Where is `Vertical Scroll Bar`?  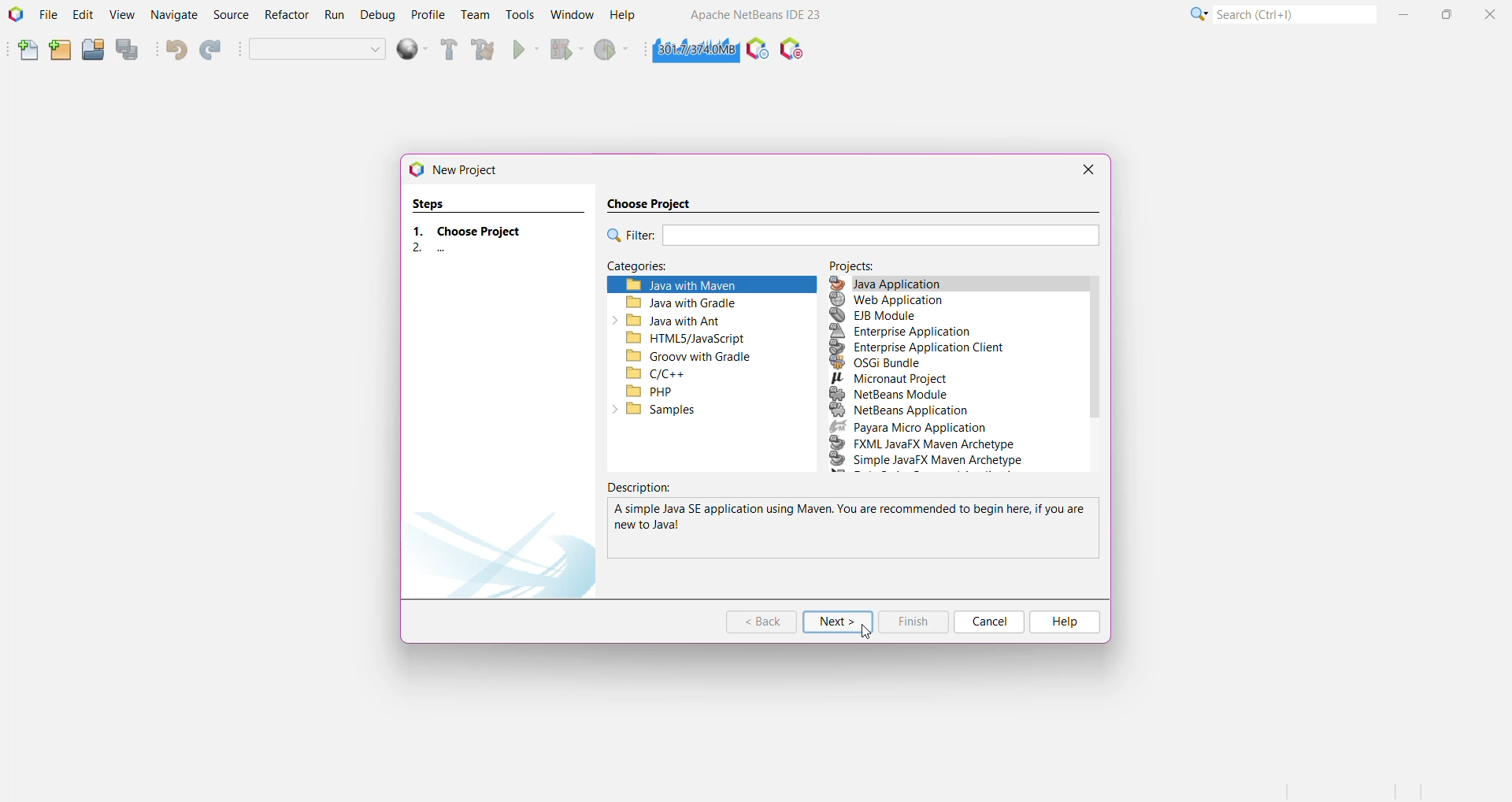
Vertical Scroll Bar is located at coordinates (1093, 351).